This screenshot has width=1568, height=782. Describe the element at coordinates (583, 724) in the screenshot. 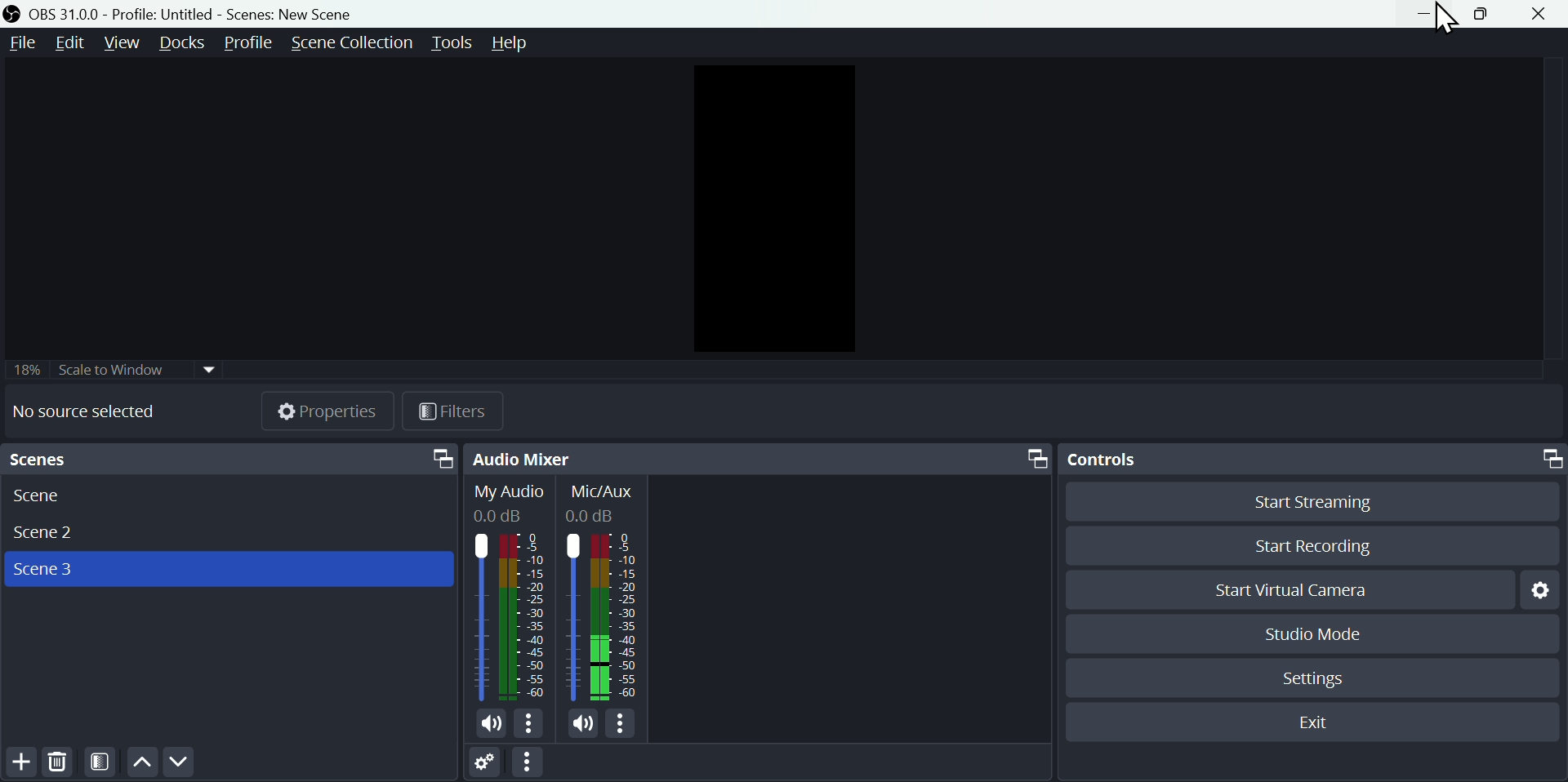

I see `(un)mute` at that location.